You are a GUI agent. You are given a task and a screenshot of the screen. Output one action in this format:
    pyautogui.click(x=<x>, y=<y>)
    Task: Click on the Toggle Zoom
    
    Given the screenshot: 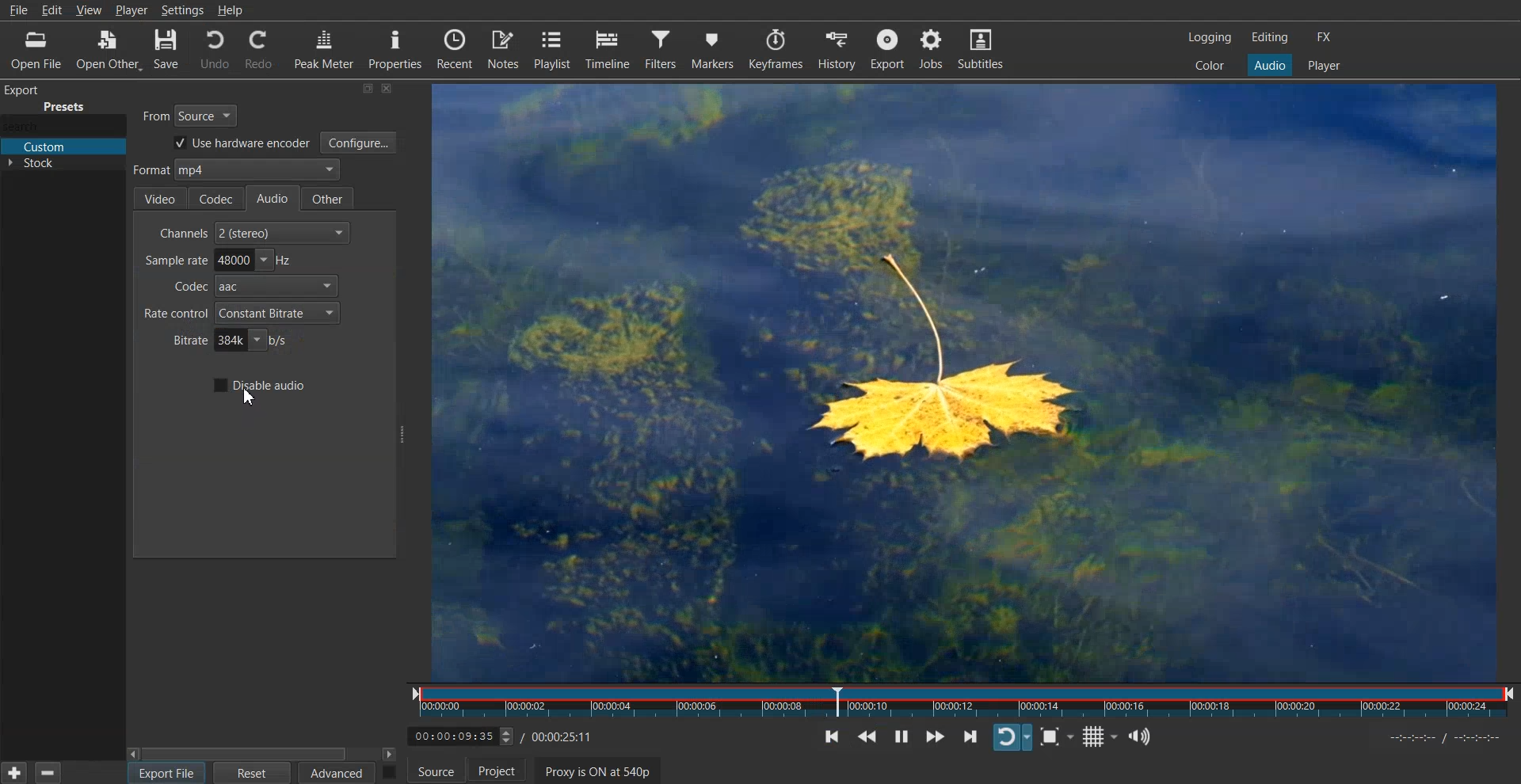 What is the action you would take?
    pyautogui.click(x=1060, y=737)
    